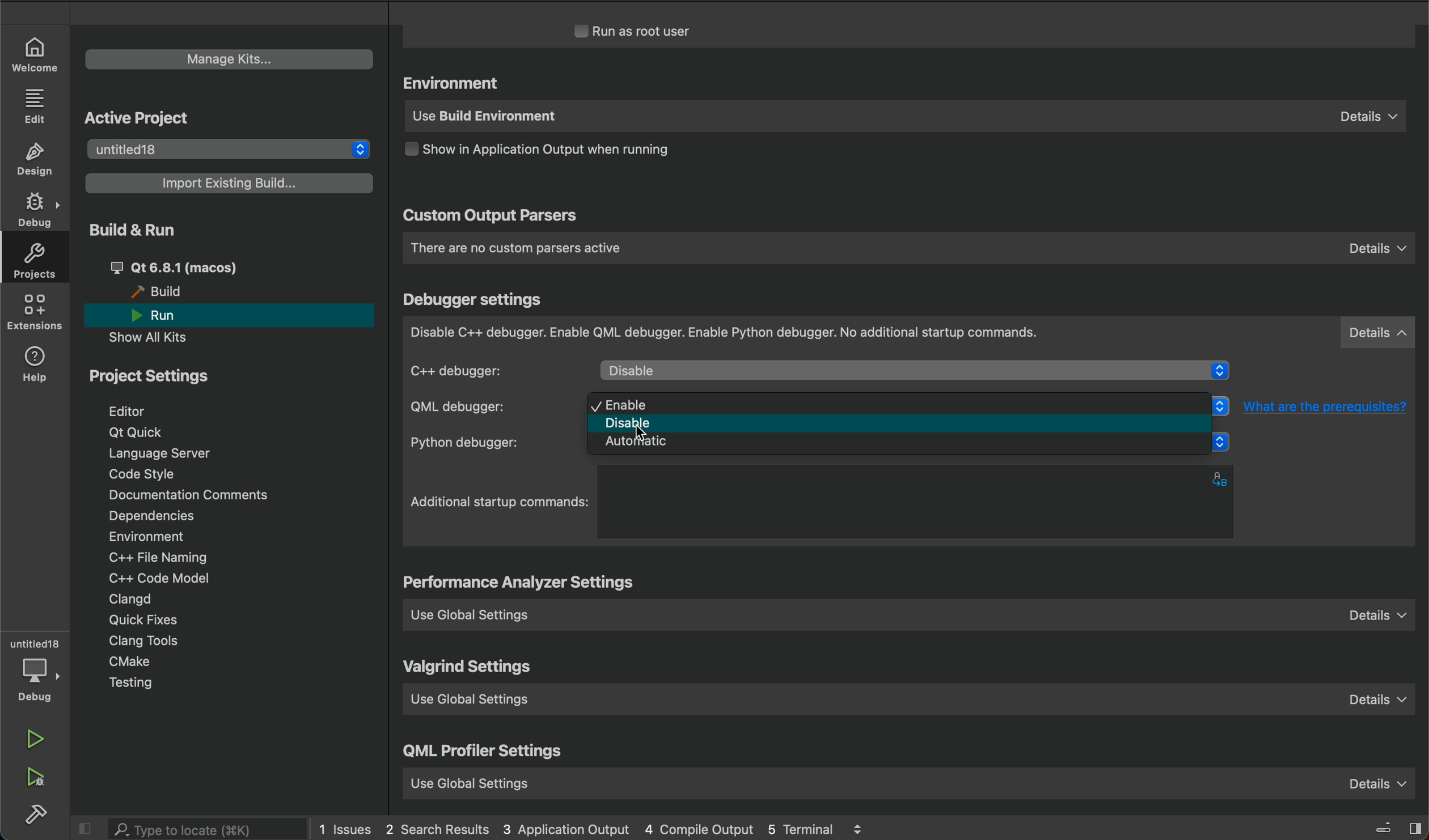 The width and height of the screenshot is (1429, 840). I want to click on manage kits, so click(225, 57).